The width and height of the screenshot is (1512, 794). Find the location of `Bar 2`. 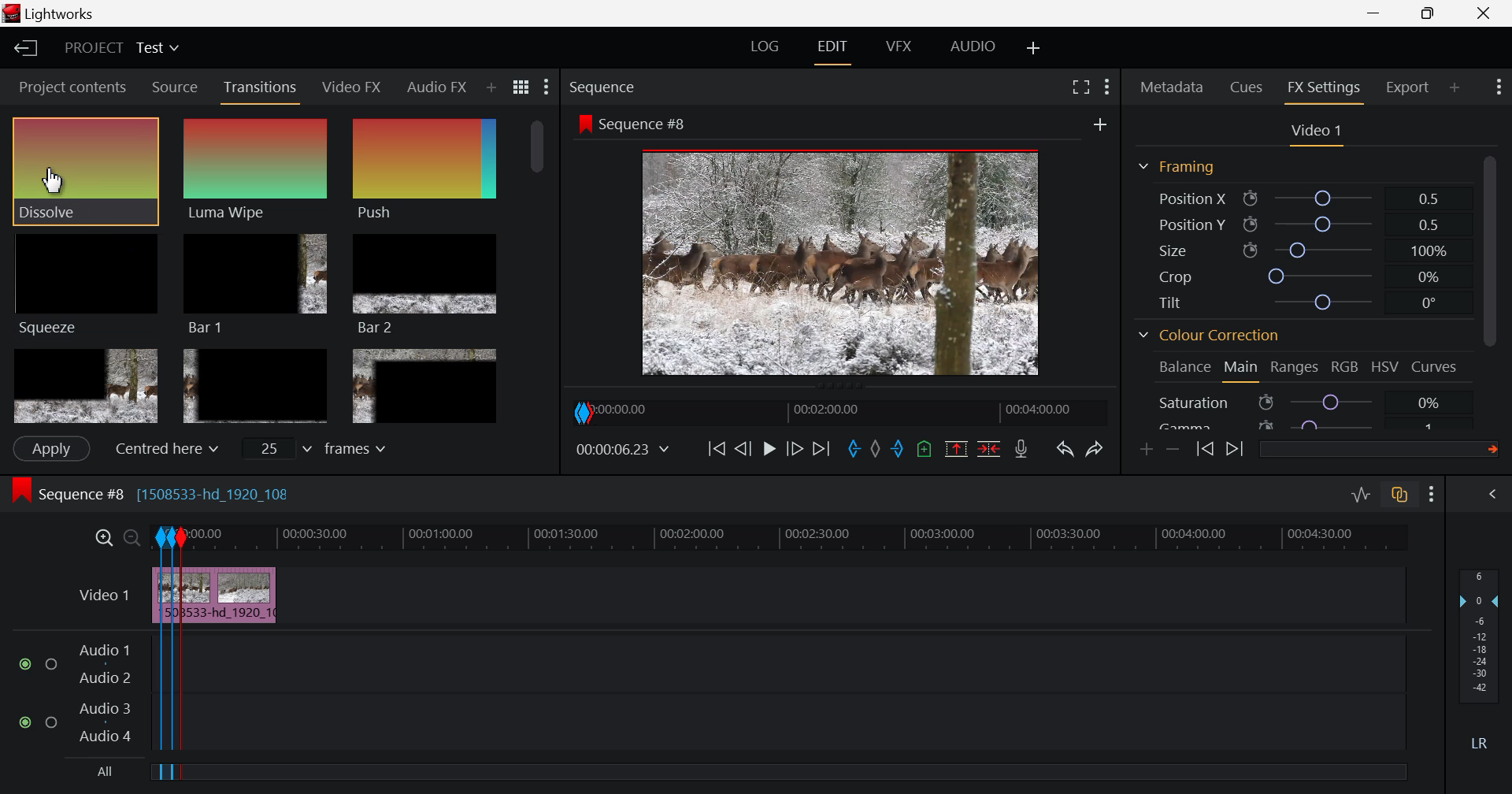

Bar 2 is located at coordinates (426, 284).